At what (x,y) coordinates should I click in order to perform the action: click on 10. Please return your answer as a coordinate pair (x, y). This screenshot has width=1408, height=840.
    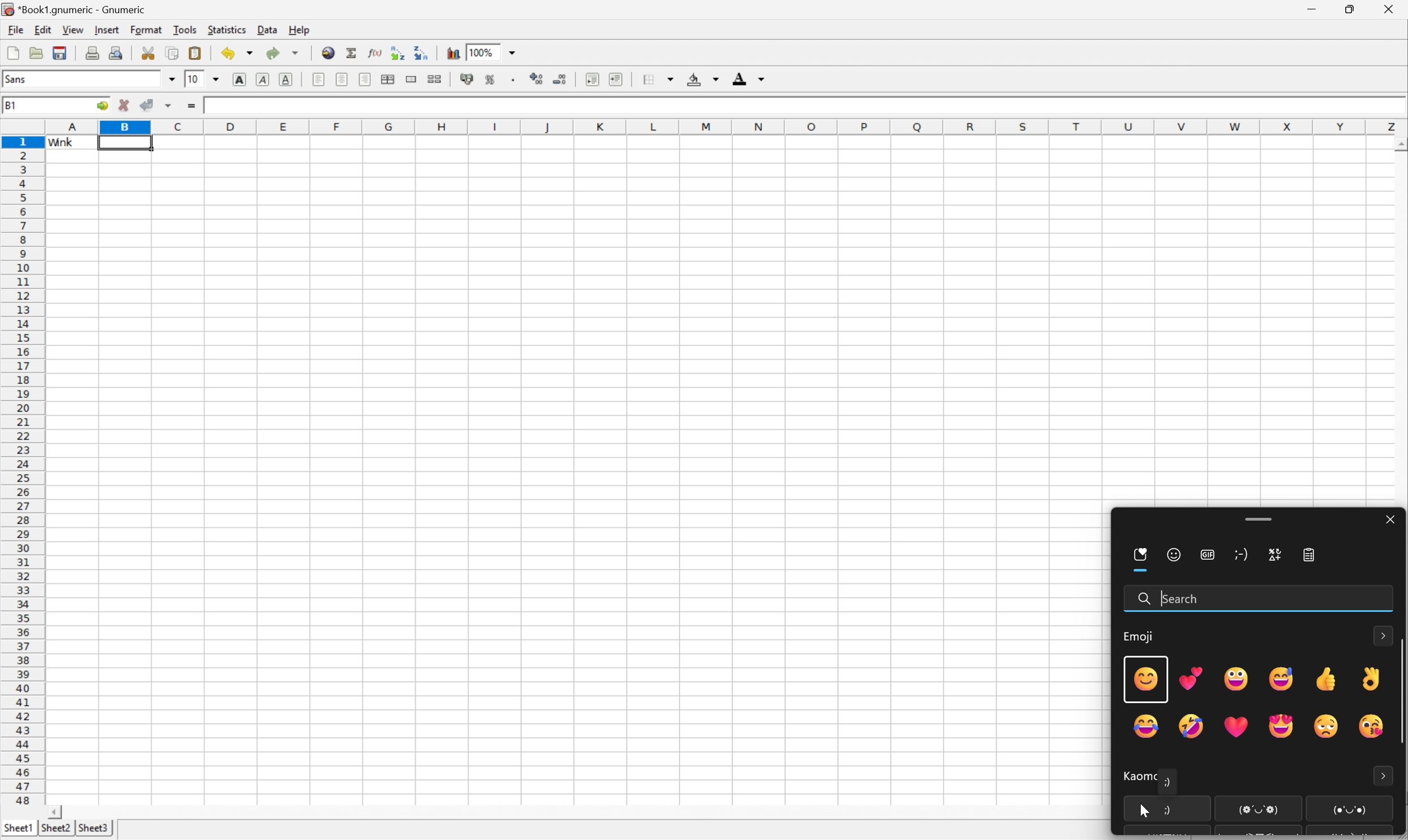
    Looking at the image, I should click on (195, 78).